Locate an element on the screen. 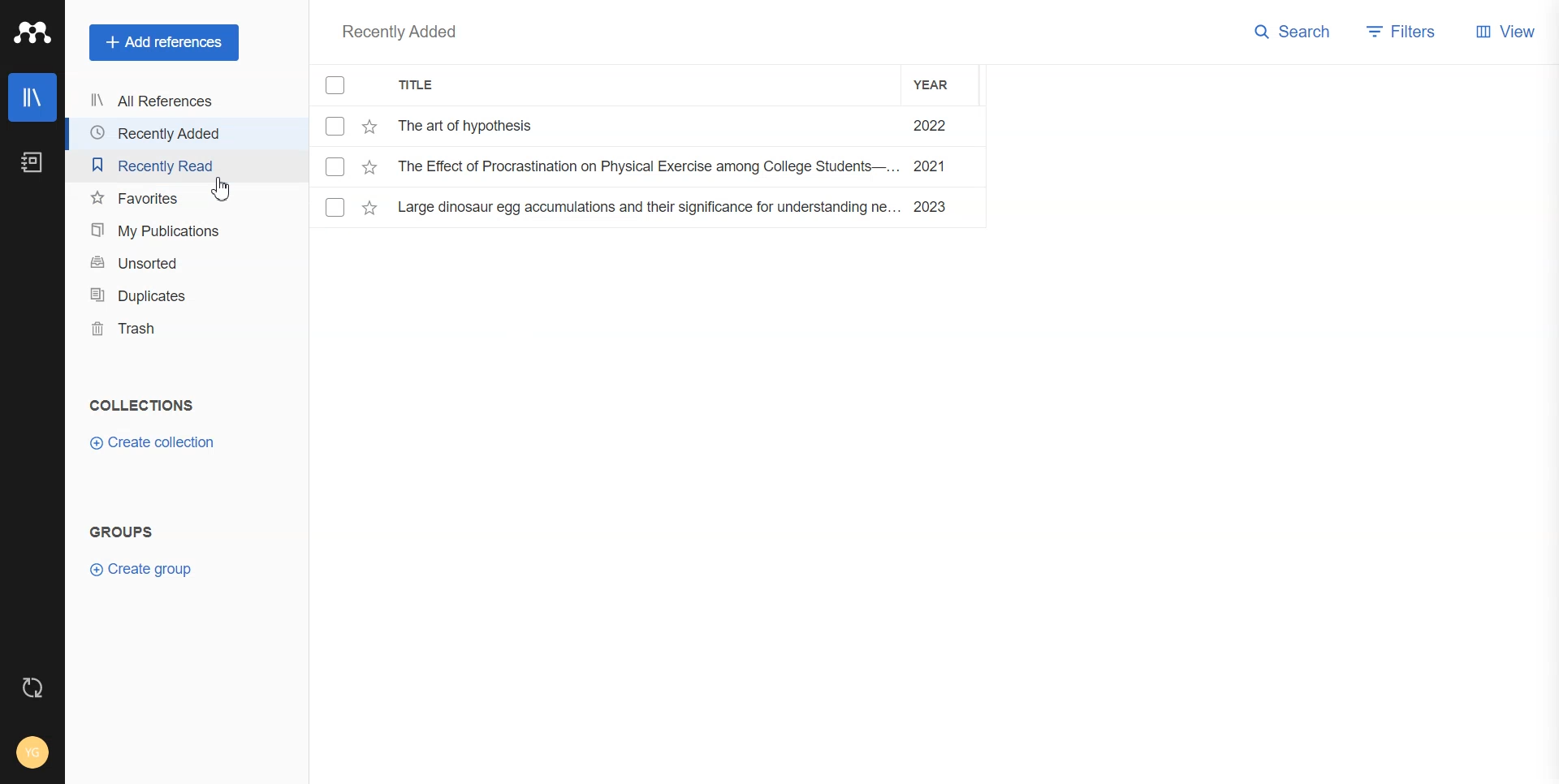 Image resolution: width=1559 pixels, height=784 pixels. Filter is located at coordinates (1403, 33).